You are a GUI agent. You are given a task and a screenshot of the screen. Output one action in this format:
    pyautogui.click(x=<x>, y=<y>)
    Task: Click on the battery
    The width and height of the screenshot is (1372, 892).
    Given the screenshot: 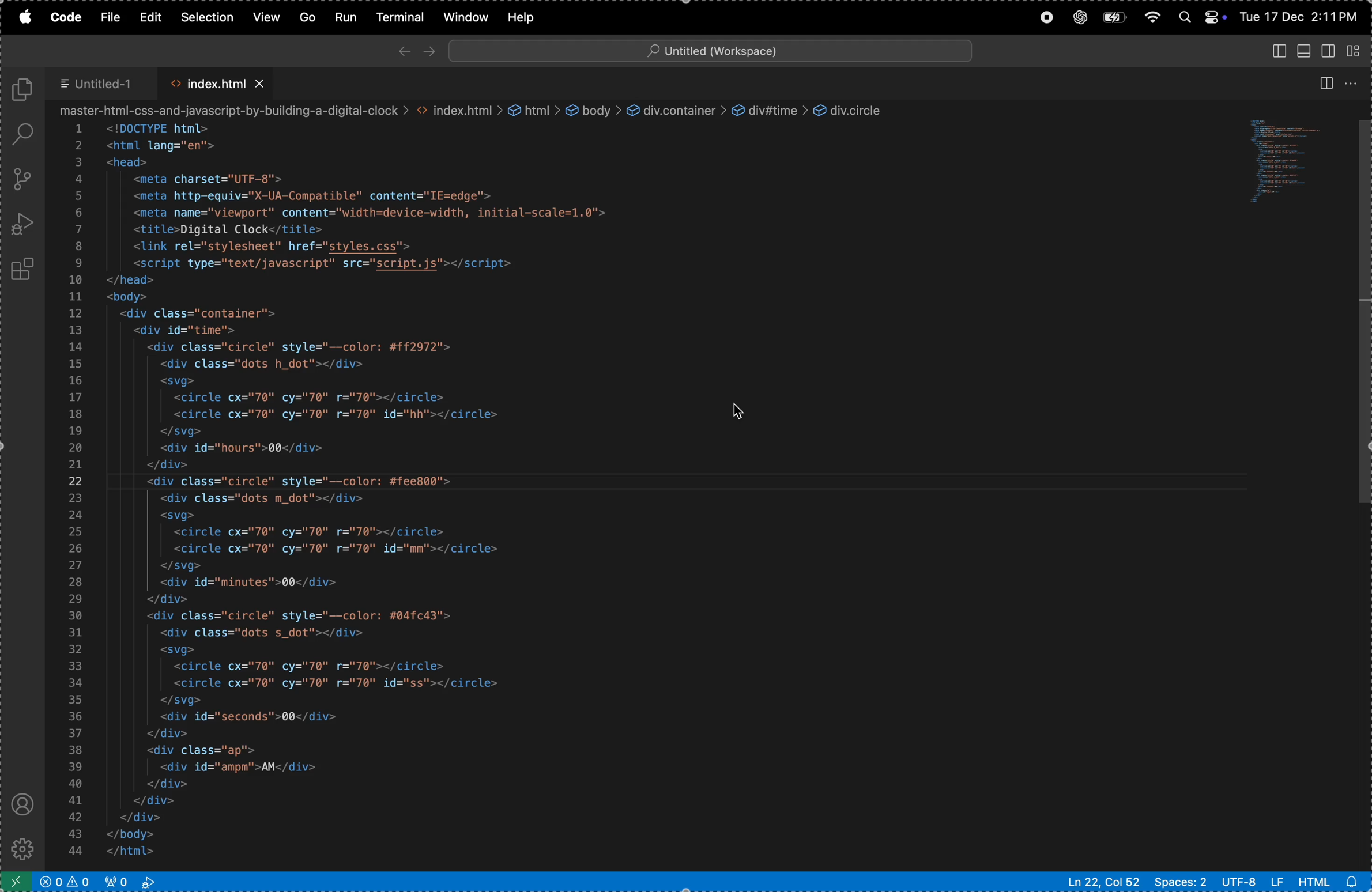 What is the action you would take?
    pyautogui.click(x=1111, y=17)
    